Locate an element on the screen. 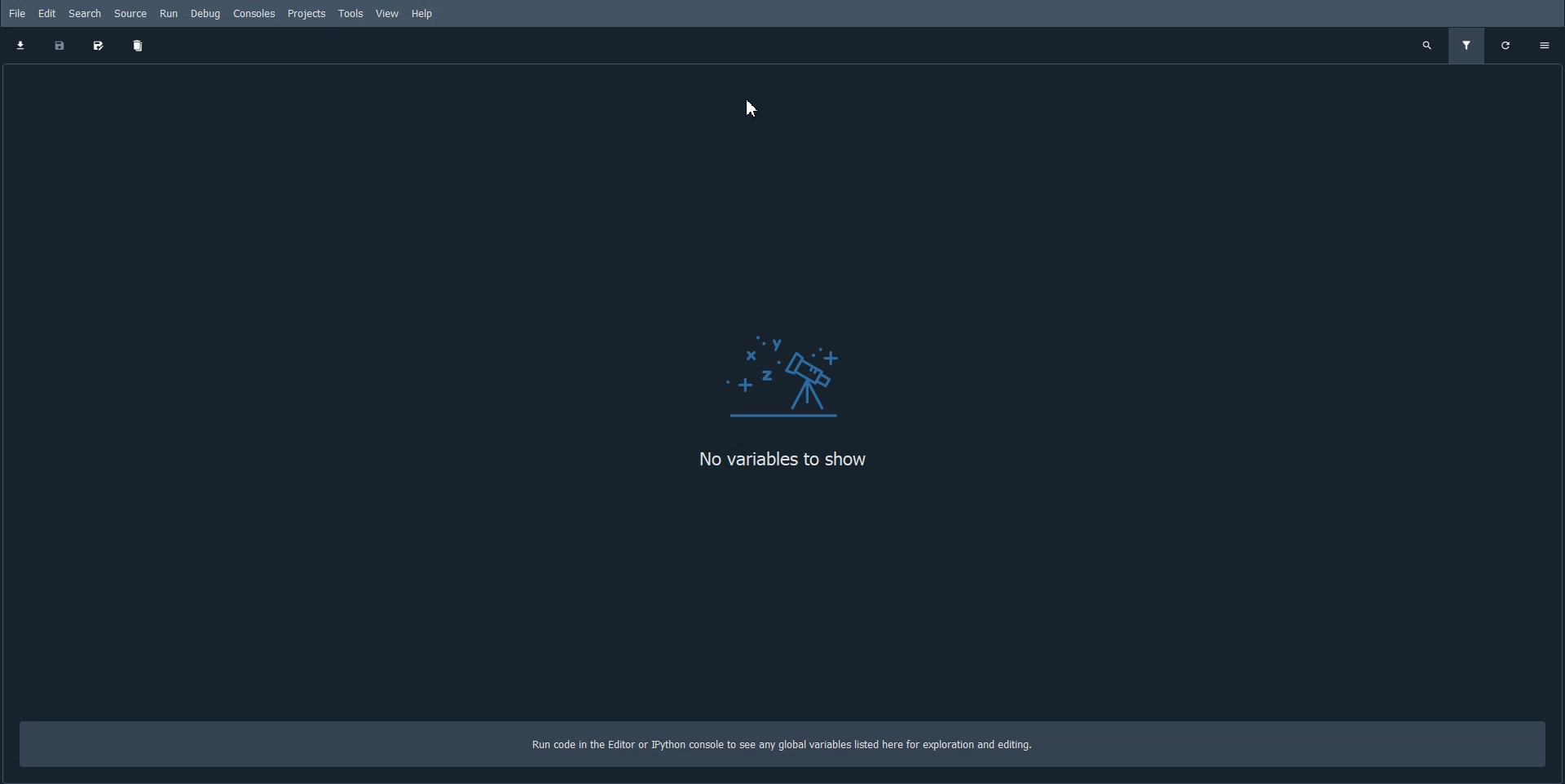 The height and width of the screenshot is (784, 1565). Tools is located at coordinates (350, 13).